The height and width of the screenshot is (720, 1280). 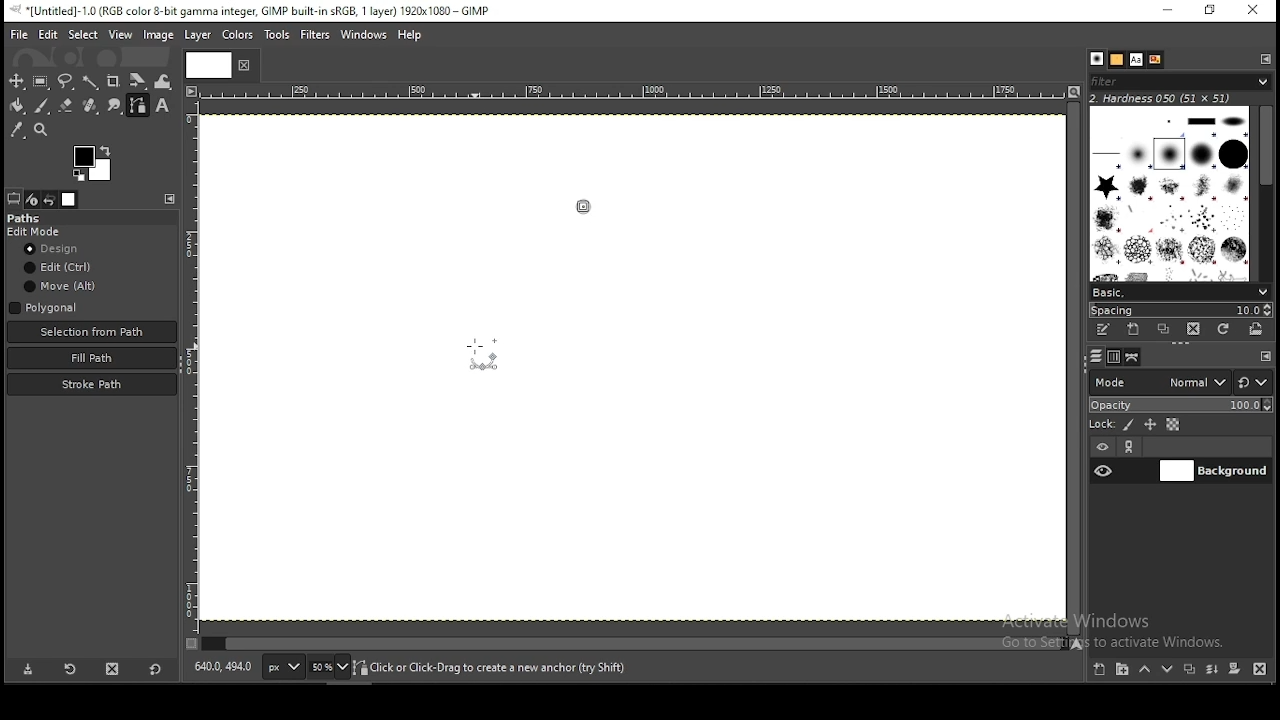 I want to click on delete this brush, so click(x=1194, y=329).